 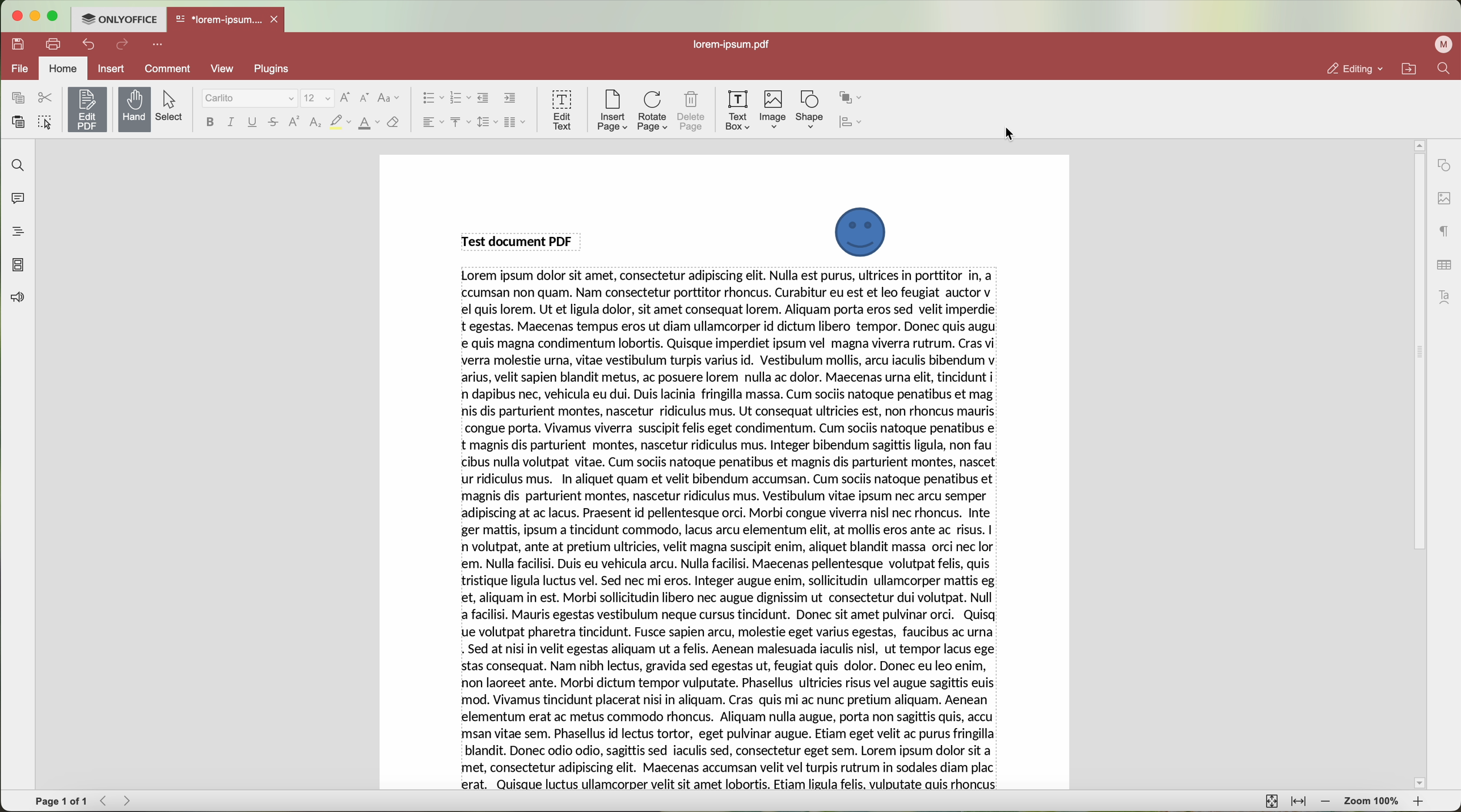 What do you see at coordinates (737, 109) in the screenshot?
I see `text box` at bounding box center [737, 109].